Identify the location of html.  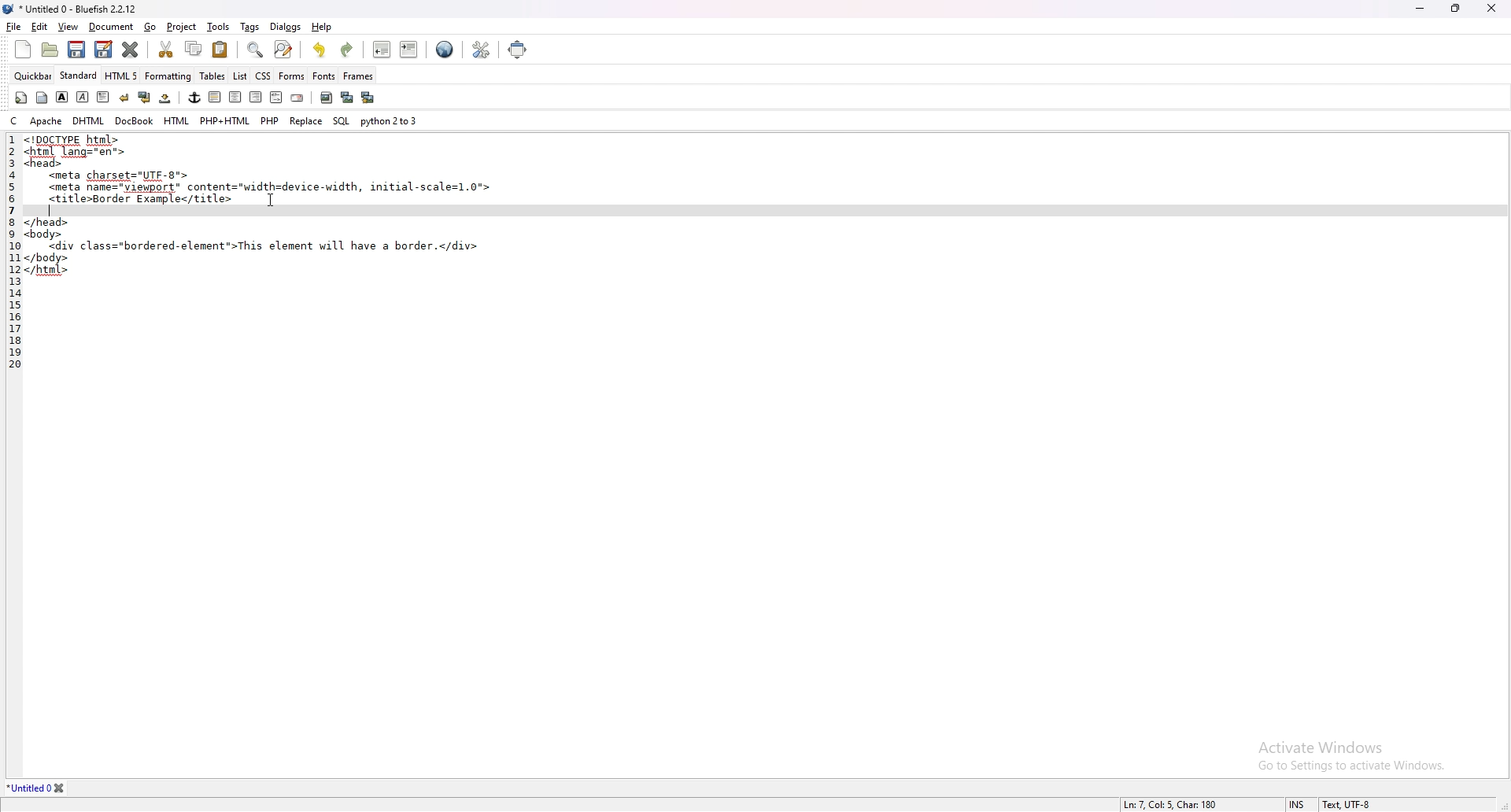
(178, 121).